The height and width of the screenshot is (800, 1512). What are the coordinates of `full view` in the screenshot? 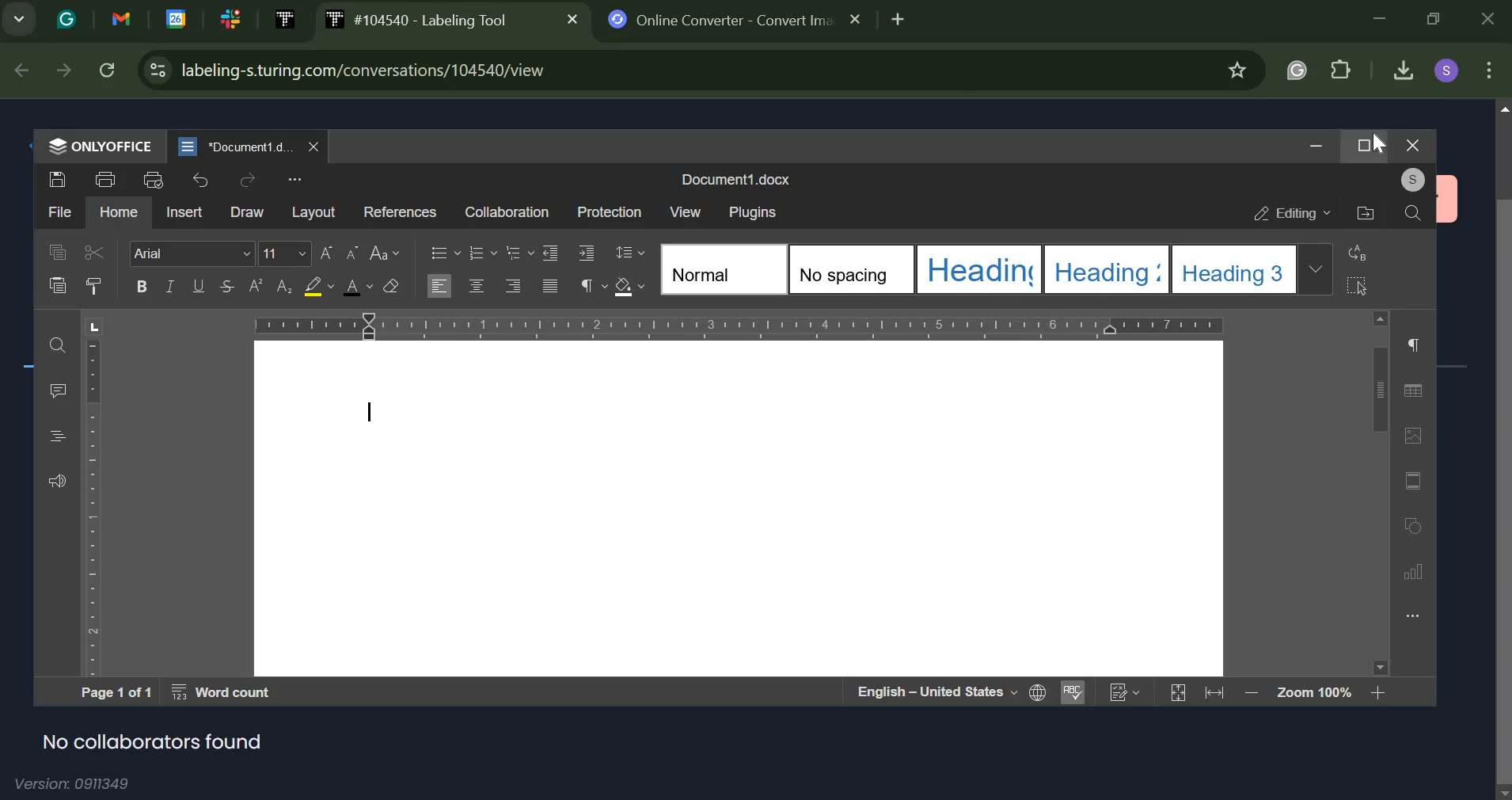 It's located at (1176, 694).